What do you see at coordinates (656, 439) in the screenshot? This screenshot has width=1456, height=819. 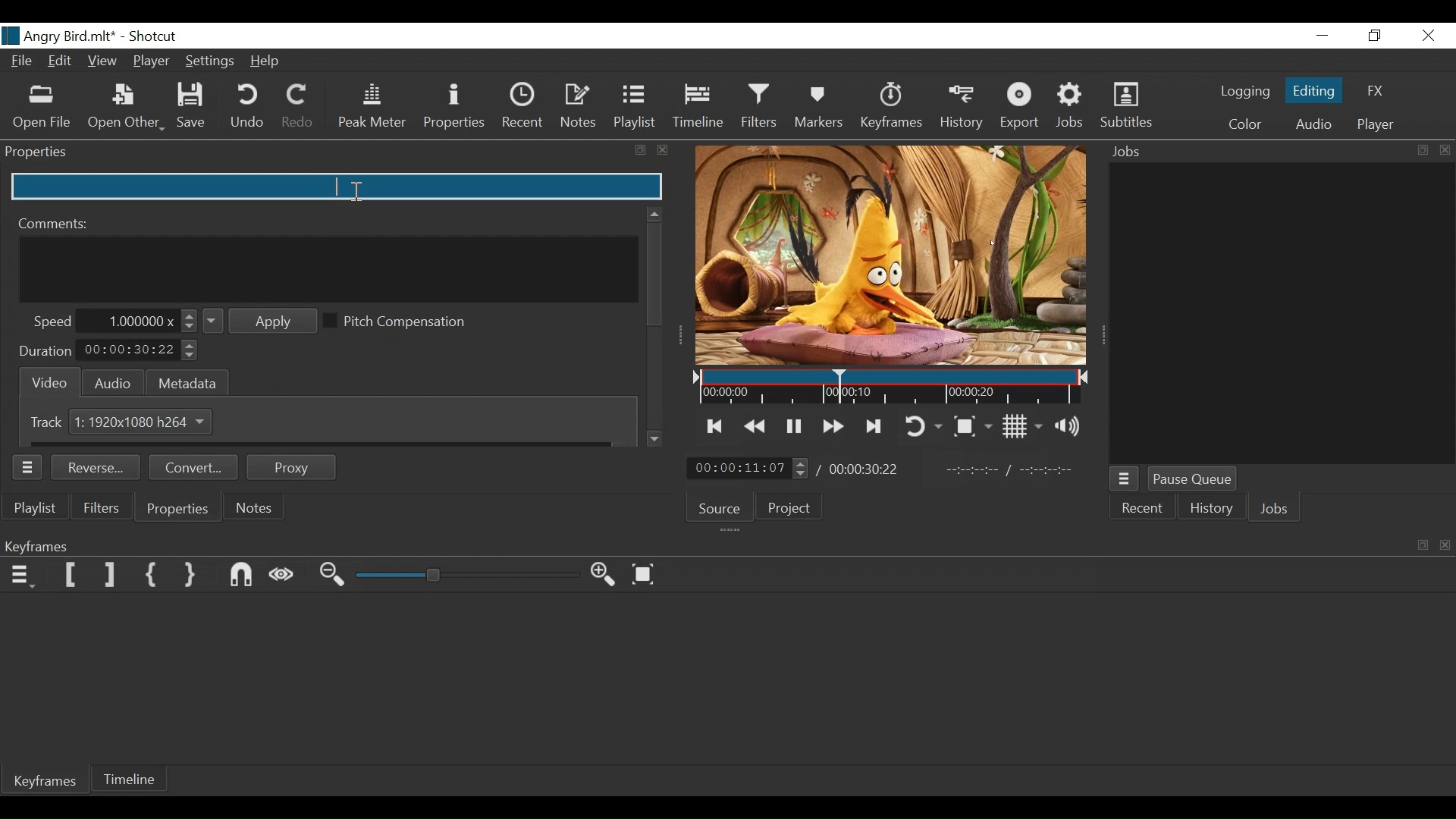 I see `Scroll down` at bounding box center [656, 439].